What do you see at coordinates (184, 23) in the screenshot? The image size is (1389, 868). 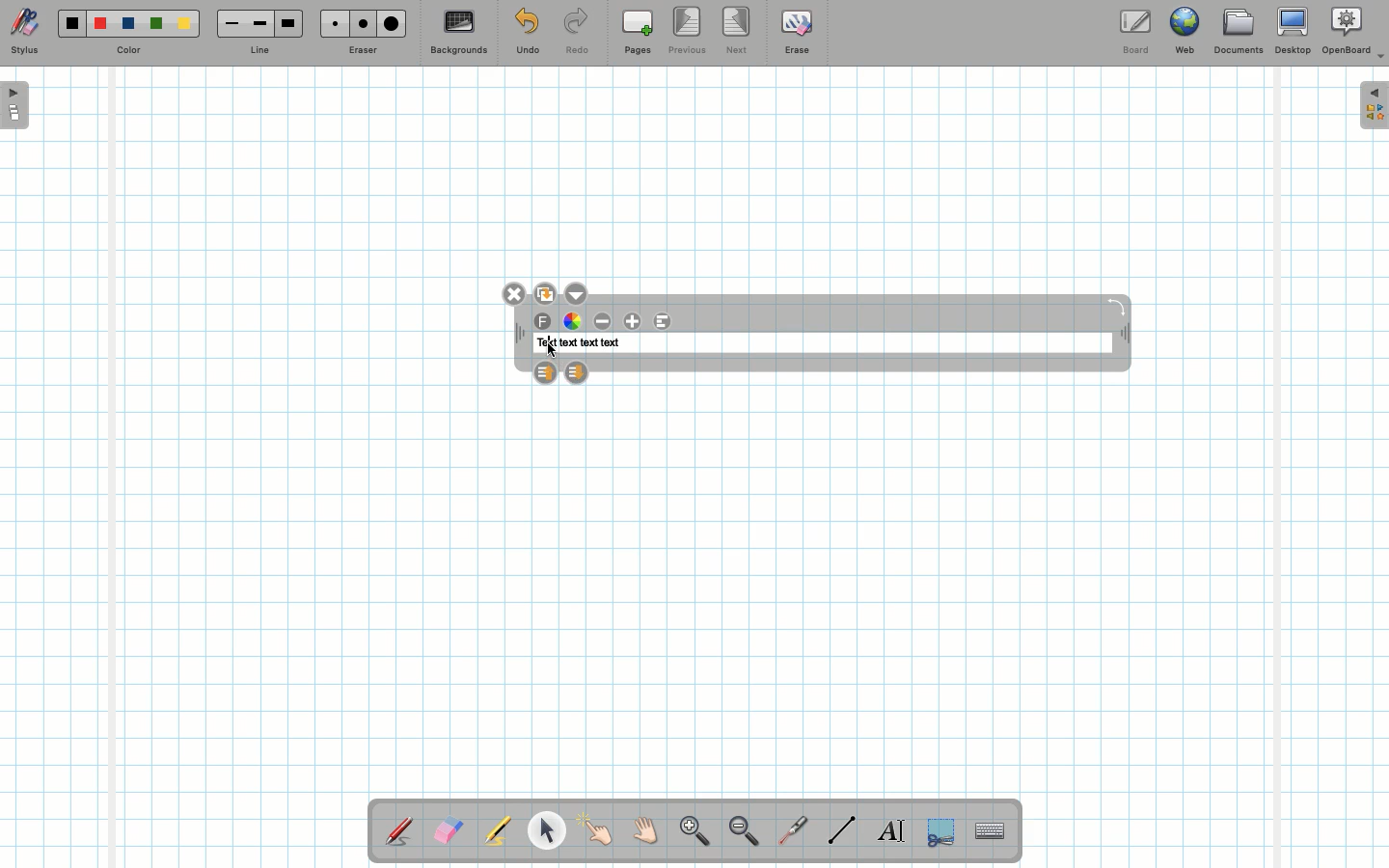 I see `Yellow` at bounding box center [184, 23].